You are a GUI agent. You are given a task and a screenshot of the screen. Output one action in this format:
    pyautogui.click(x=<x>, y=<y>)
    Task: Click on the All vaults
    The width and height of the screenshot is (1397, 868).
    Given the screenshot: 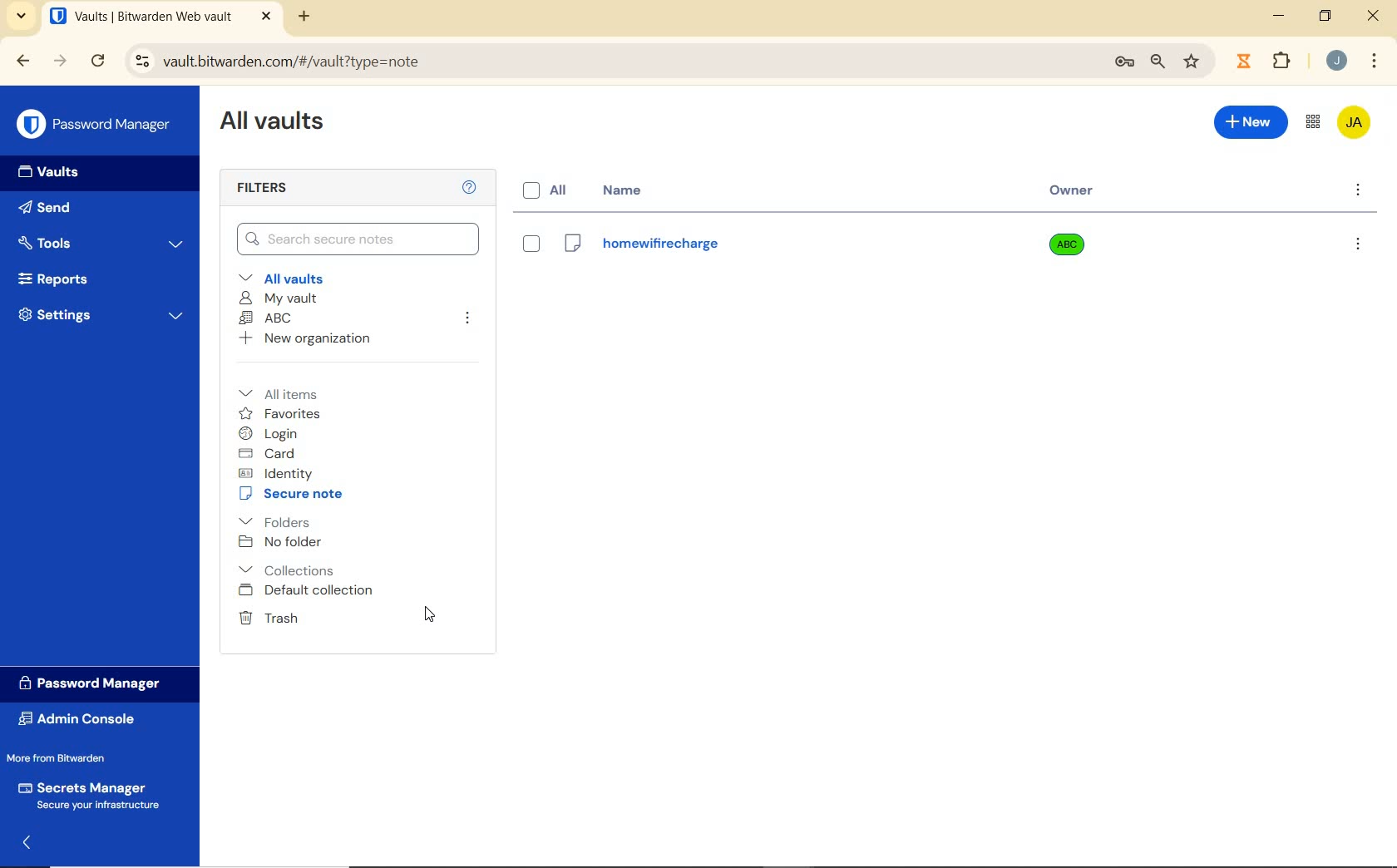 What is the action you would take?
    pyautogui.click(x=284, y=277)
    